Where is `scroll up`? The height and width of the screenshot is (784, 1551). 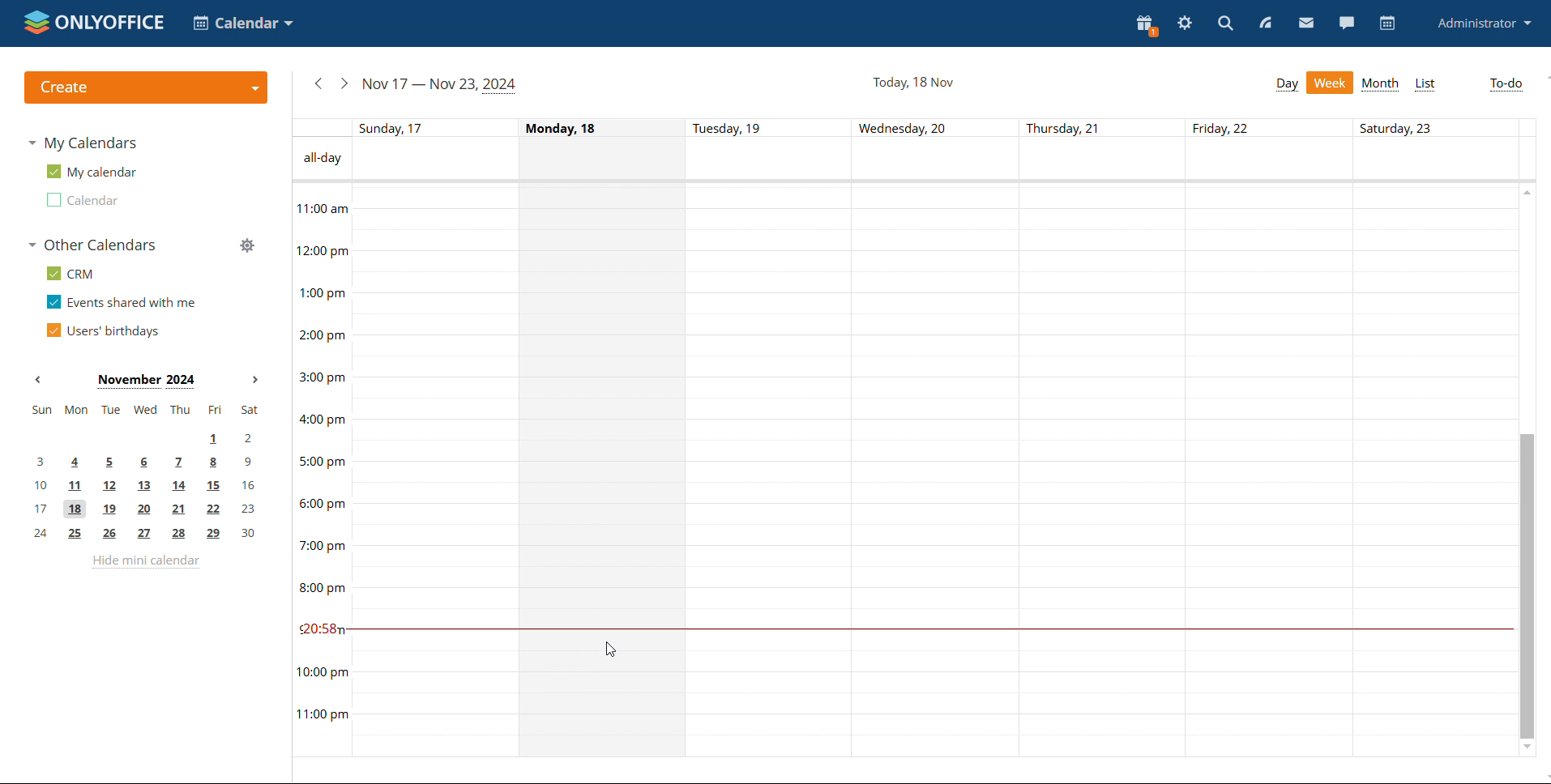
scroll up is located at coordinates (1527, 191).